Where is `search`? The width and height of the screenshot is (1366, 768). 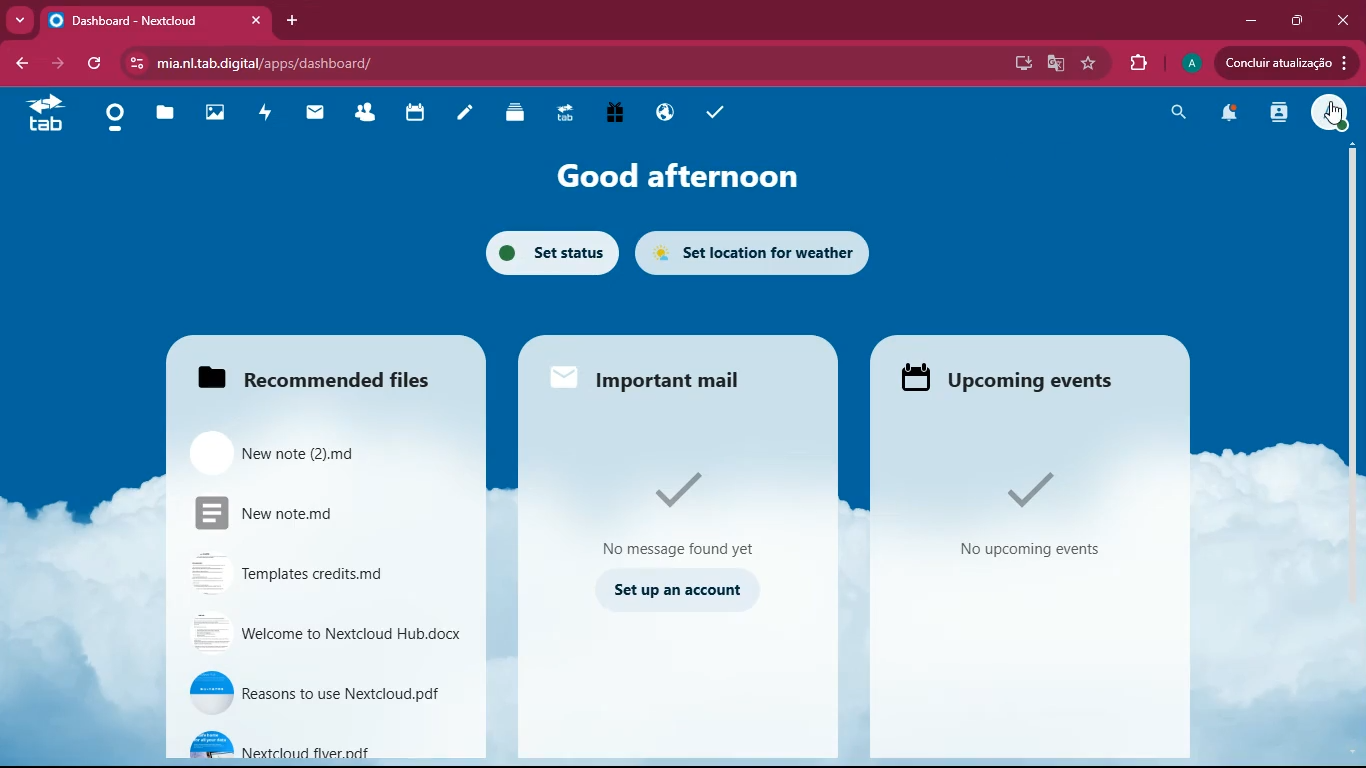 search is located at coordinates (1177, 116).